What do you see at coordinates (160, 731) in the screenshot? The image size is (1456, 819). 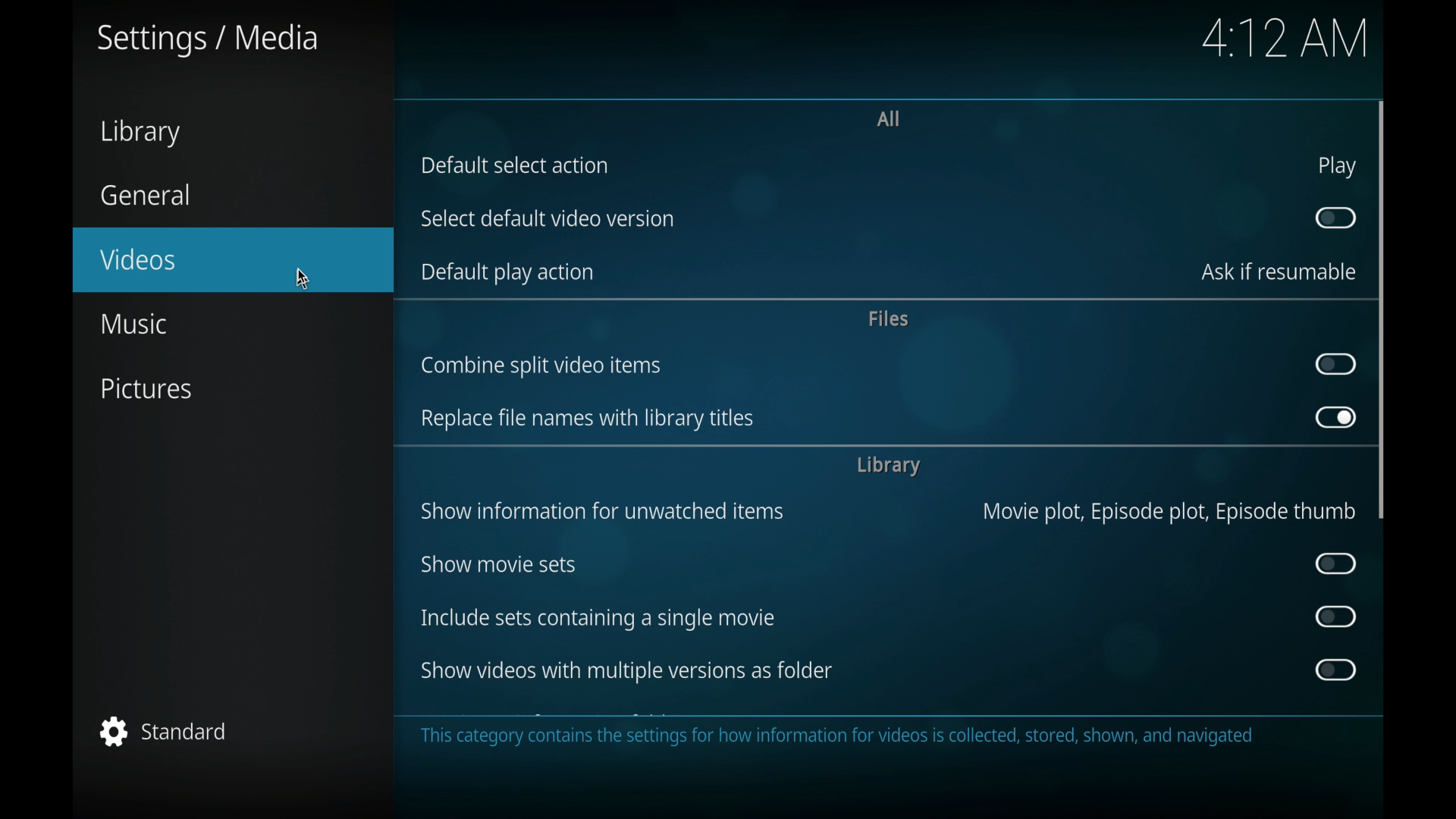 I see `standard` at bounding box center [160, 731].